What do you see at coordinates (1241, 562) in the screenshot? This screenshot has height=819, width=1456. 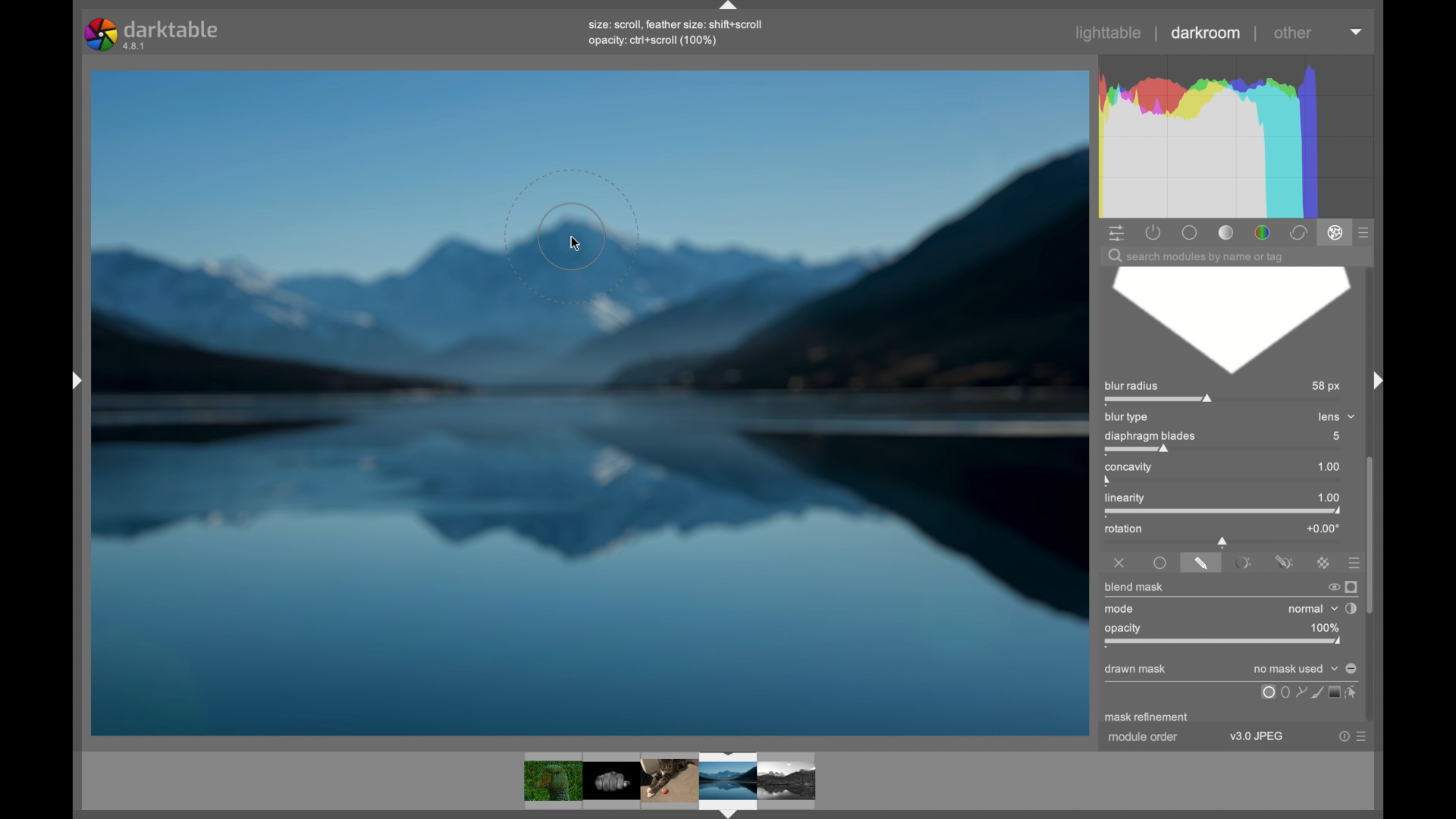 I see `parametricamsk` at bounding box center [1241, 562].